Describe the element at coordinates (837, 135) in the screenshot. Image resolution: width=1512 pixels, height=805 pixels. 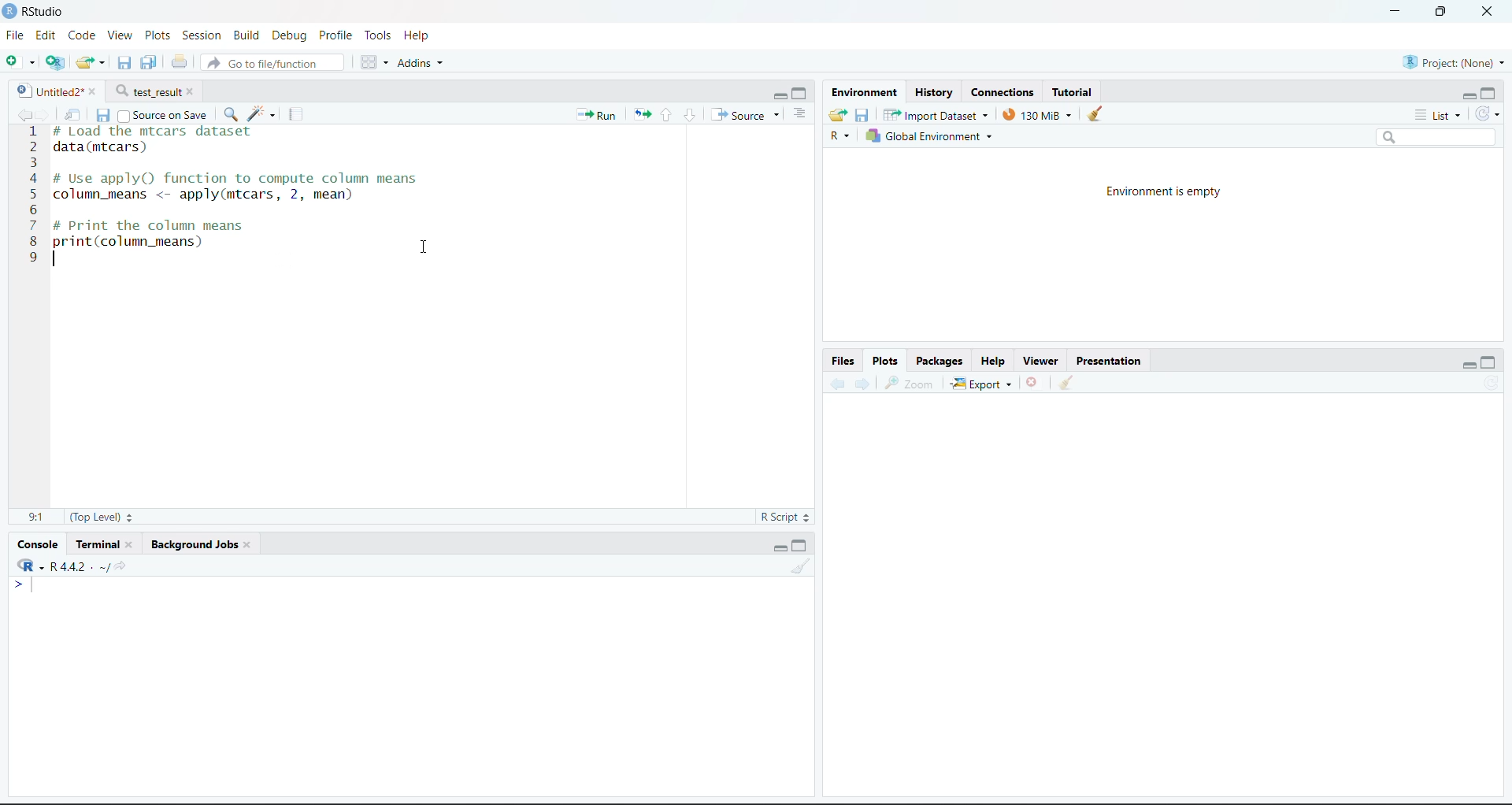
I see `R` at that location.